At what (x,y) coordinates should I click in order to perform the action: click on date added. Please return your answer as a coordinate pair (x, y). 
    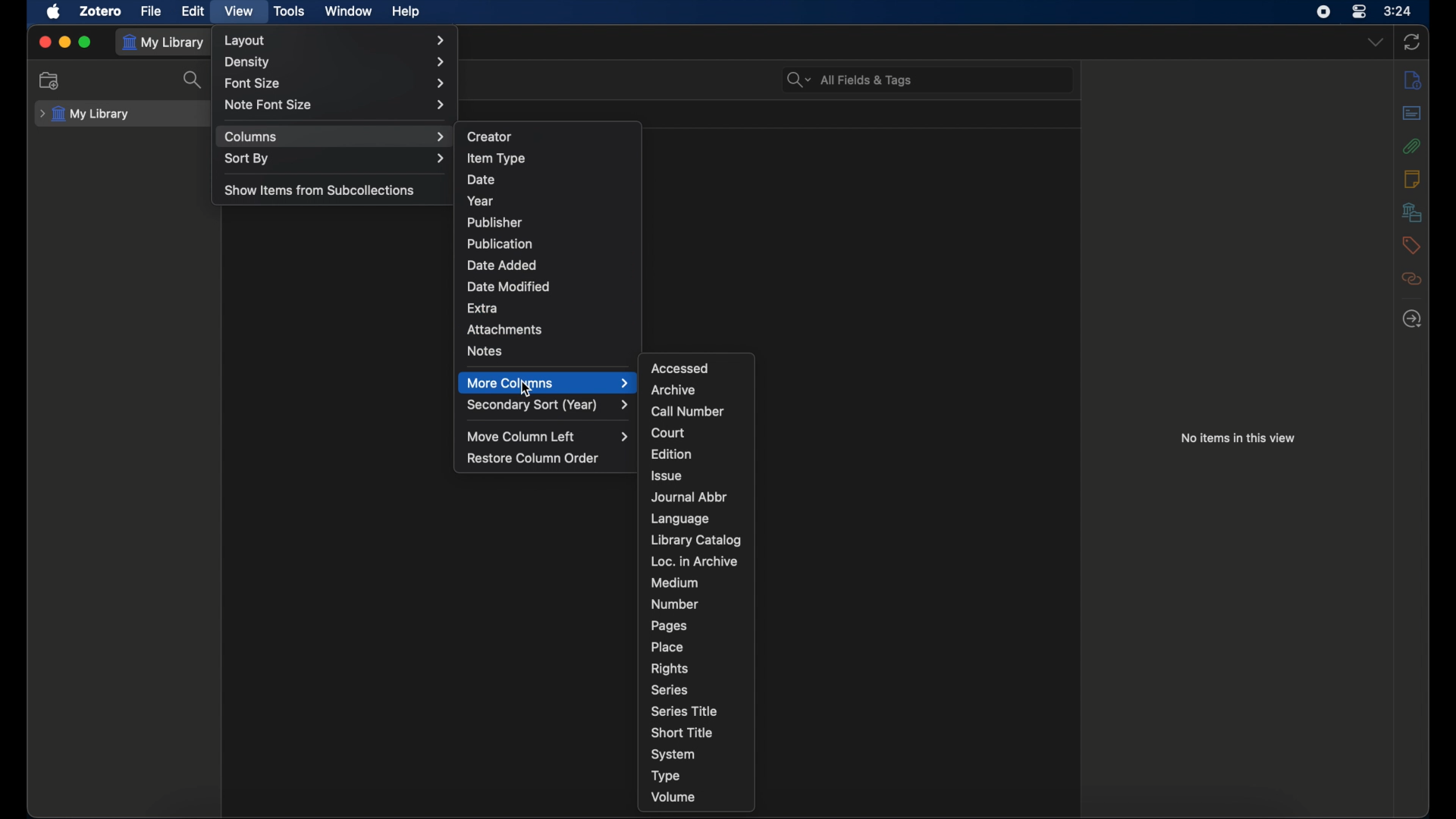
    Looking at the image, I should click on (502, 265).